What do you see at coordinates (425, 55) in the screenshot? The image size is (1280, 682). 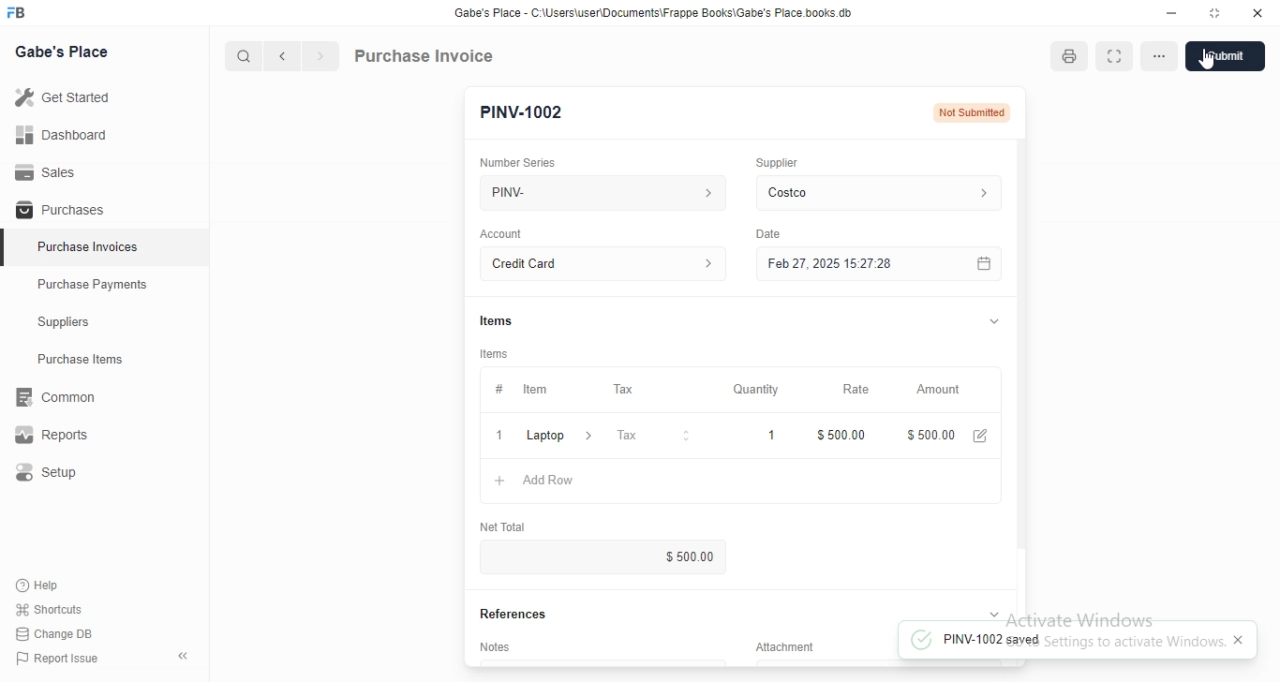 I see `Purchase Invoice` at bounding box center [425, 55].